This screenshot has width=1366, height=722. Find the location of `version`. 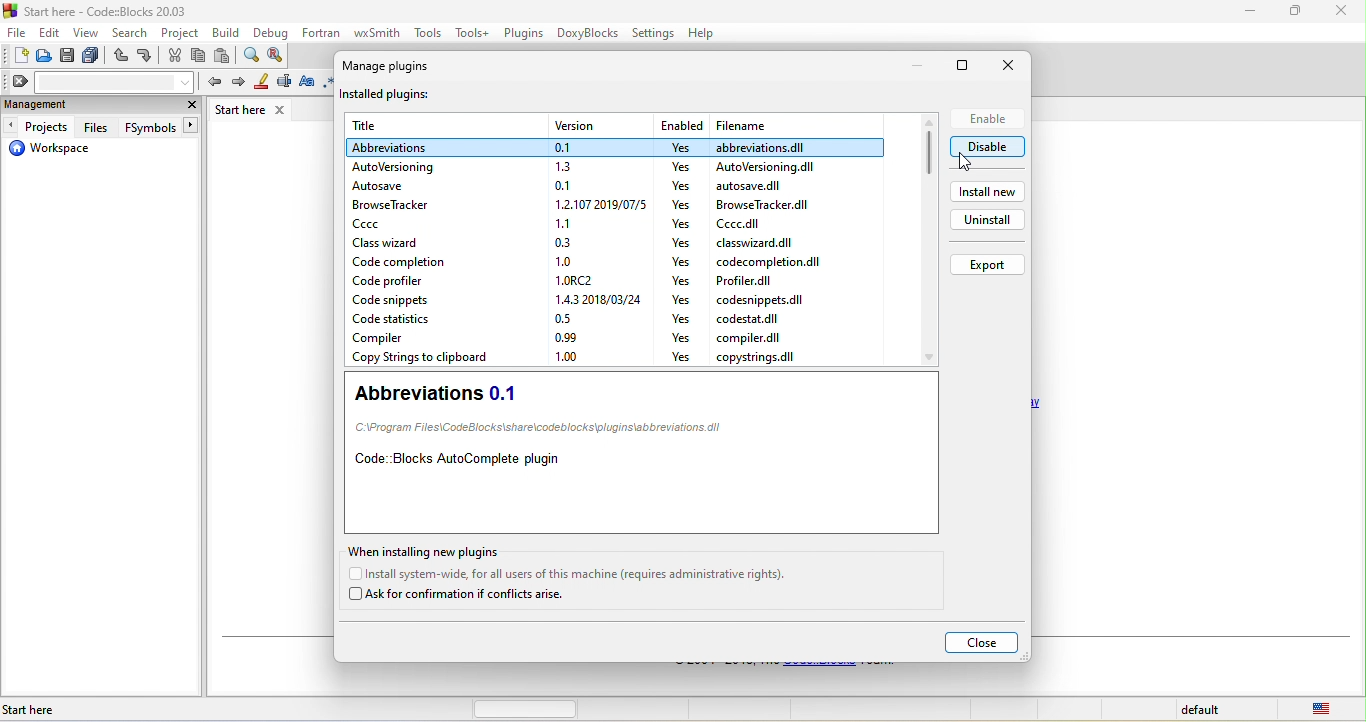

version is located at coordinates (561, 185).